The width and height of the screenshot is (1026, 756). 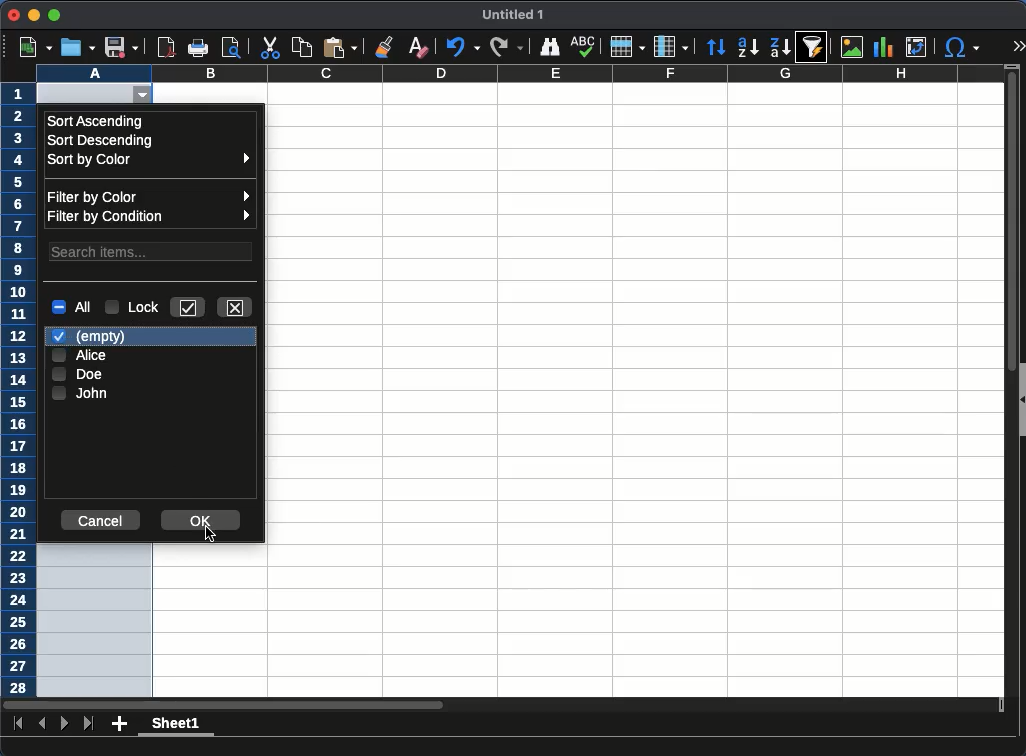 I want to click on paste, so click(x=340, y=47).